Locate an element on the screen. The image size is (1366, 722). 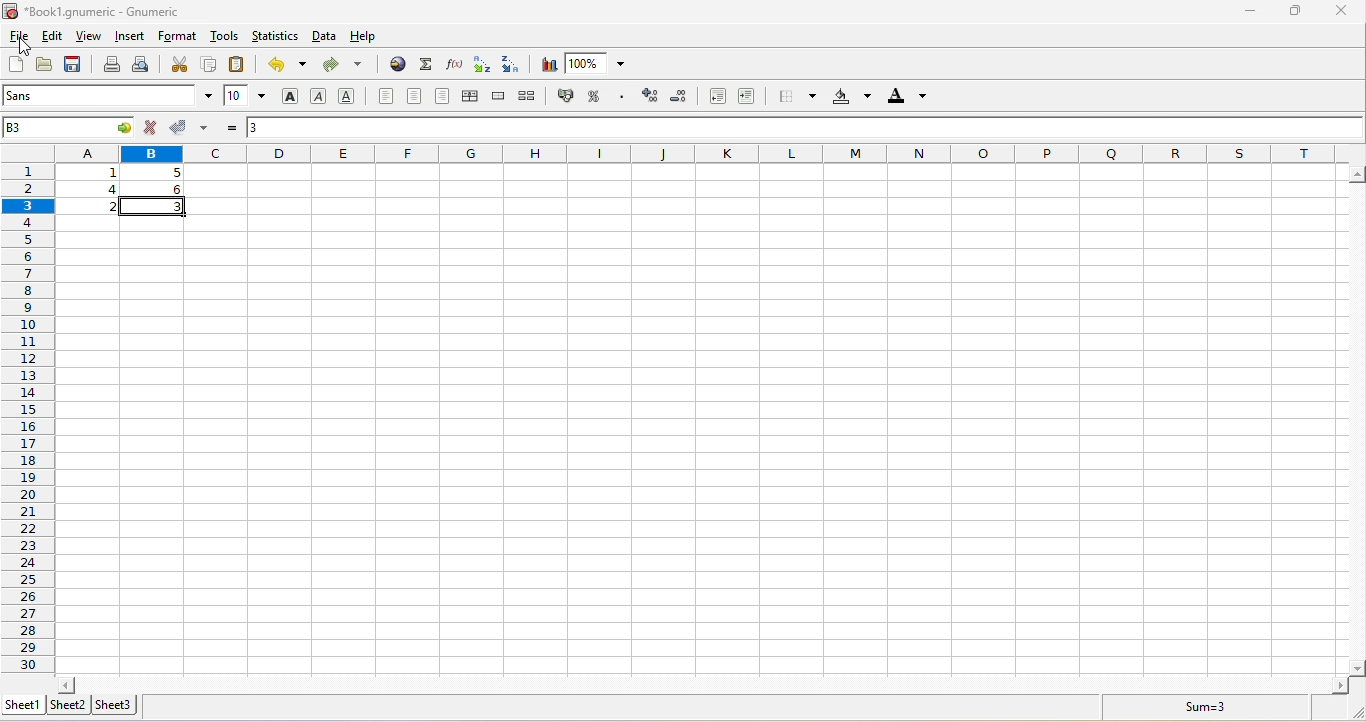
cell ranges is located at coordinates (127, 192).